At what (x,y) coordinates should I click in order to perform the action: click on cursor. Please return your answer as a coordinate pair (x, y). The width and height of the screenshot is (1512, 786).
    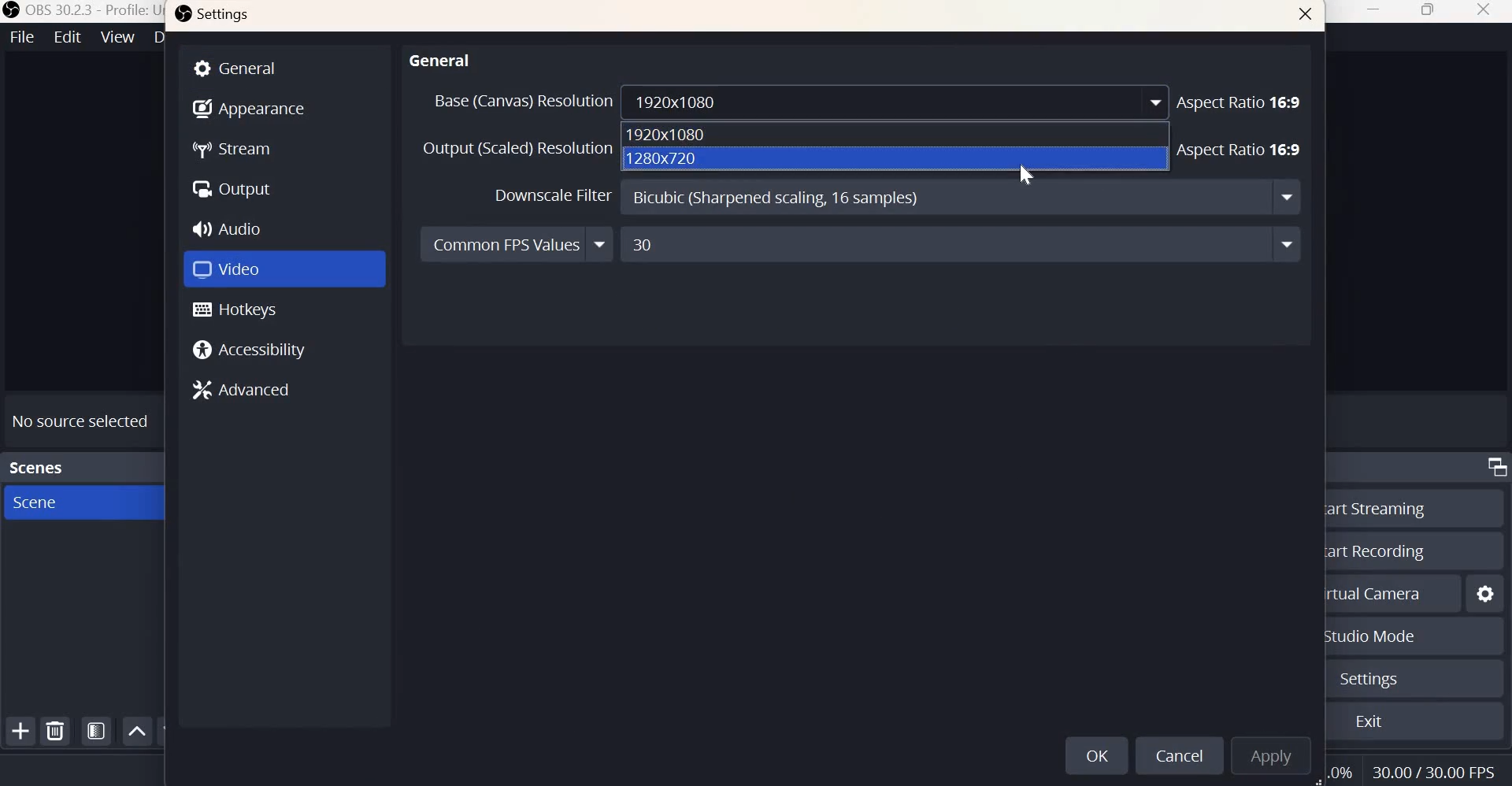
    Looking at the image, I should click on (1024, 173).